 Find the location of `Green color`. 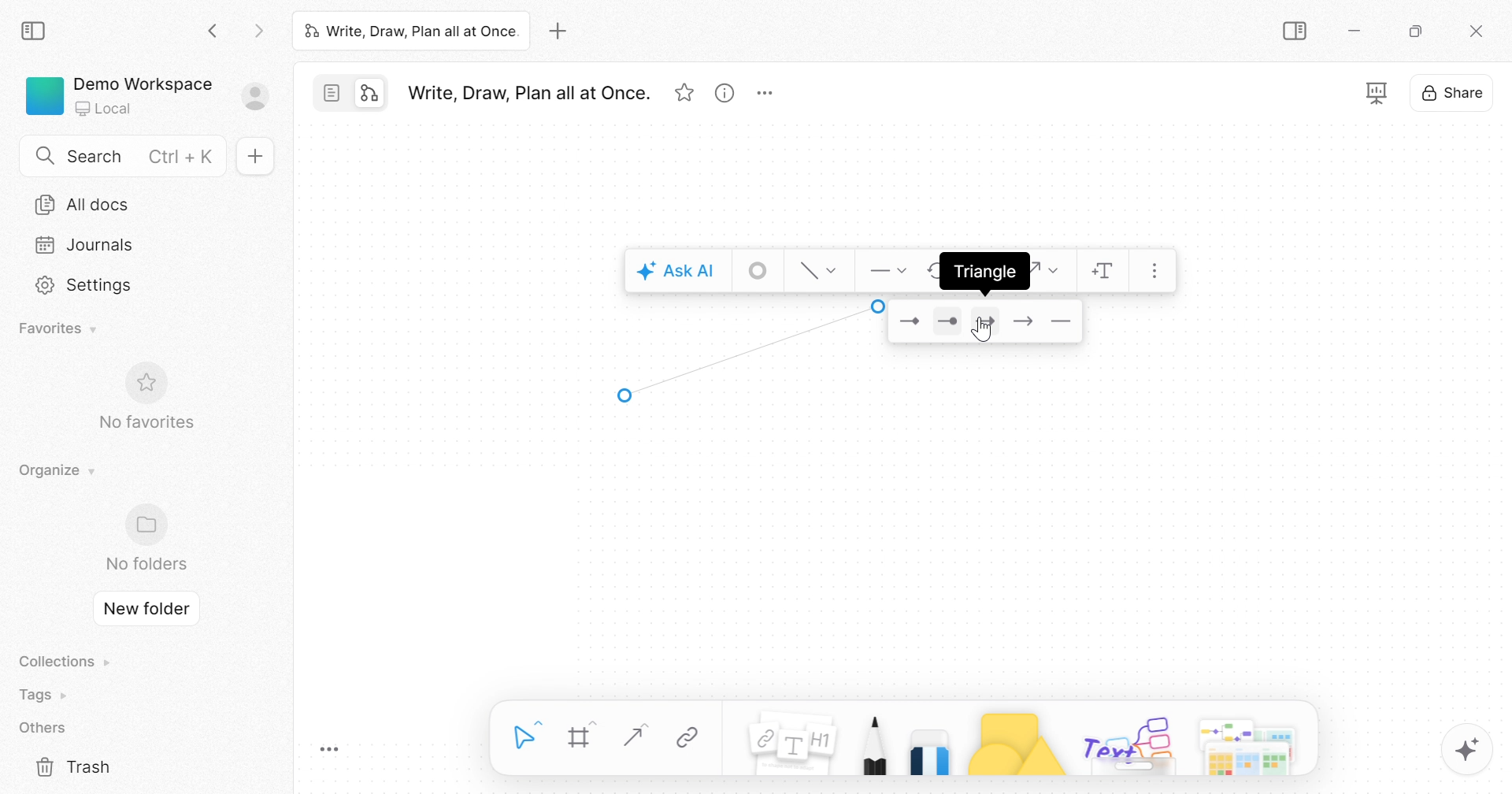

Green color is located at coordinates (45, 95).